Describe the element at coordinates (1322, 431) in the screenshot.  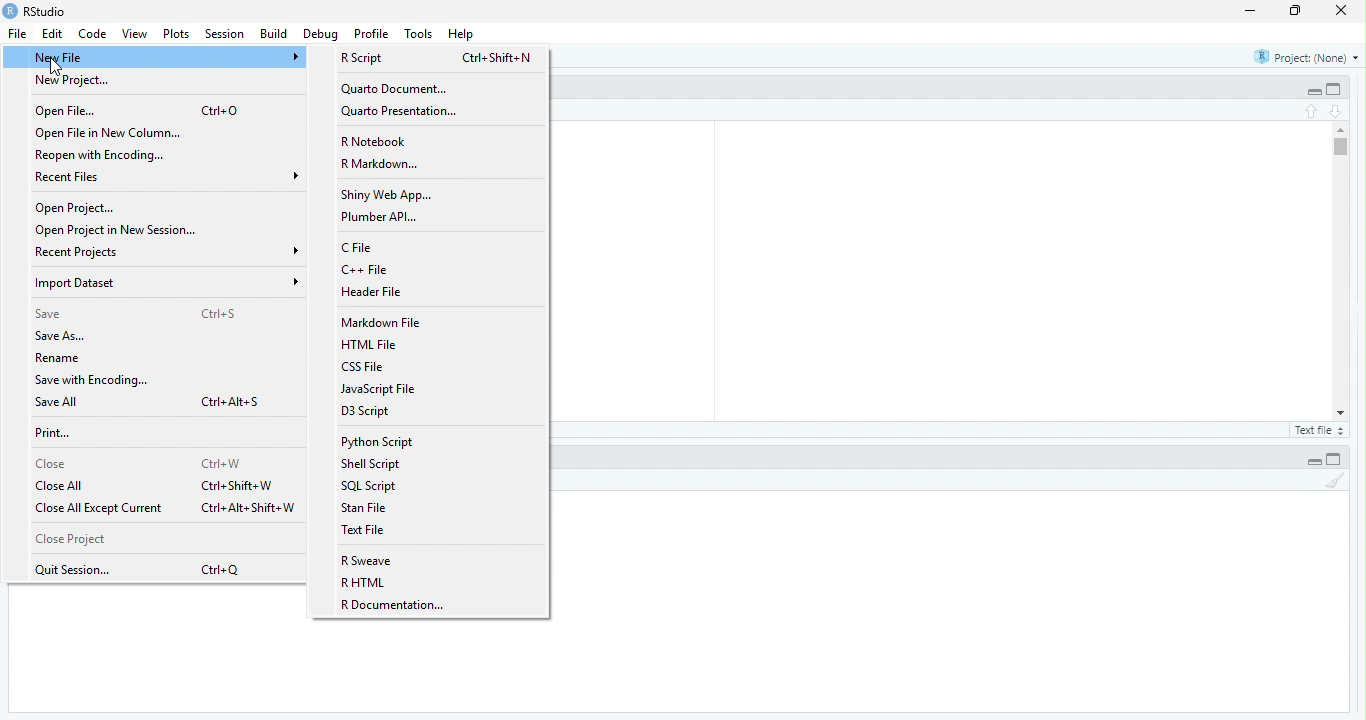
I see `Text file` at that location.